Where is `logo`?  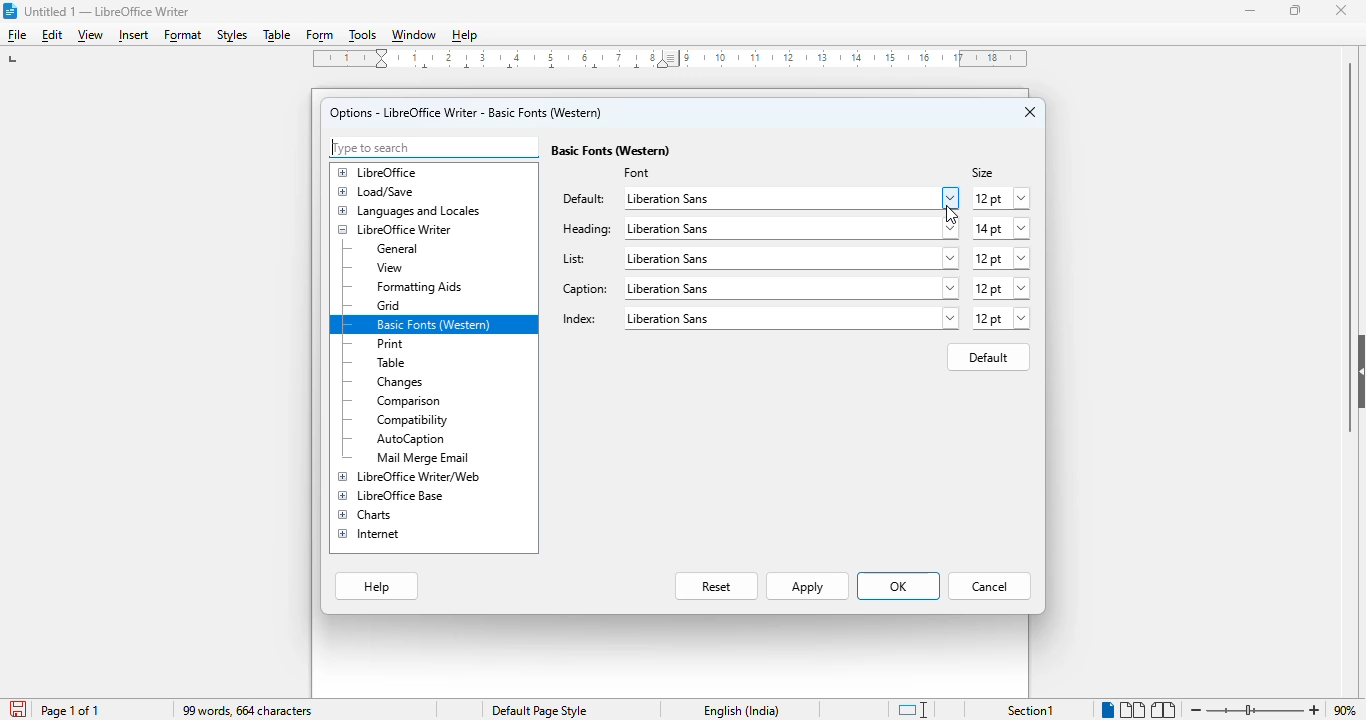 logo is located at coordinates (10, 11).